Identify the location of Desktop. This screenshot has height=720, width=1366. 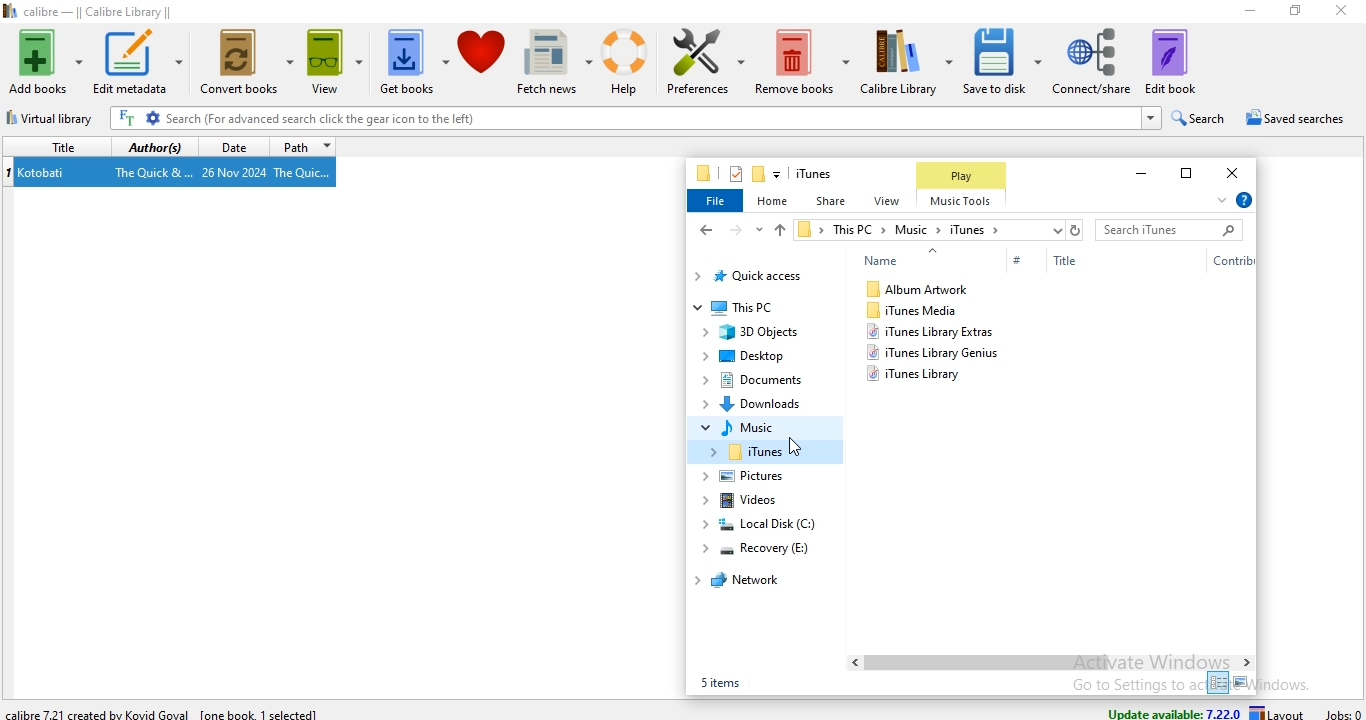
(753, 359).